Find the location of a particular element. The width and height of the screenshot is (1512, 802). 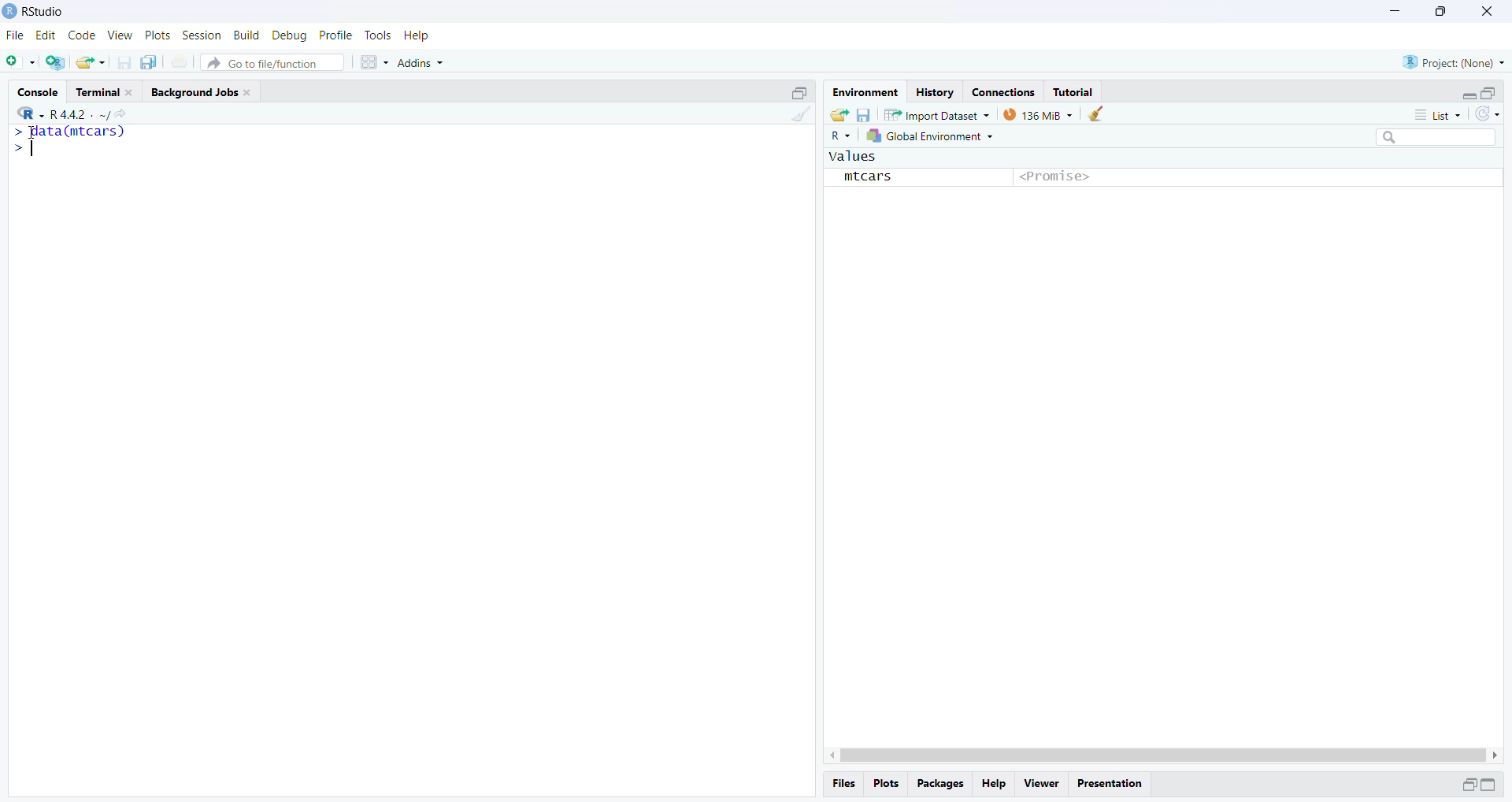

Maximize is located at coordinates (1493, 785).